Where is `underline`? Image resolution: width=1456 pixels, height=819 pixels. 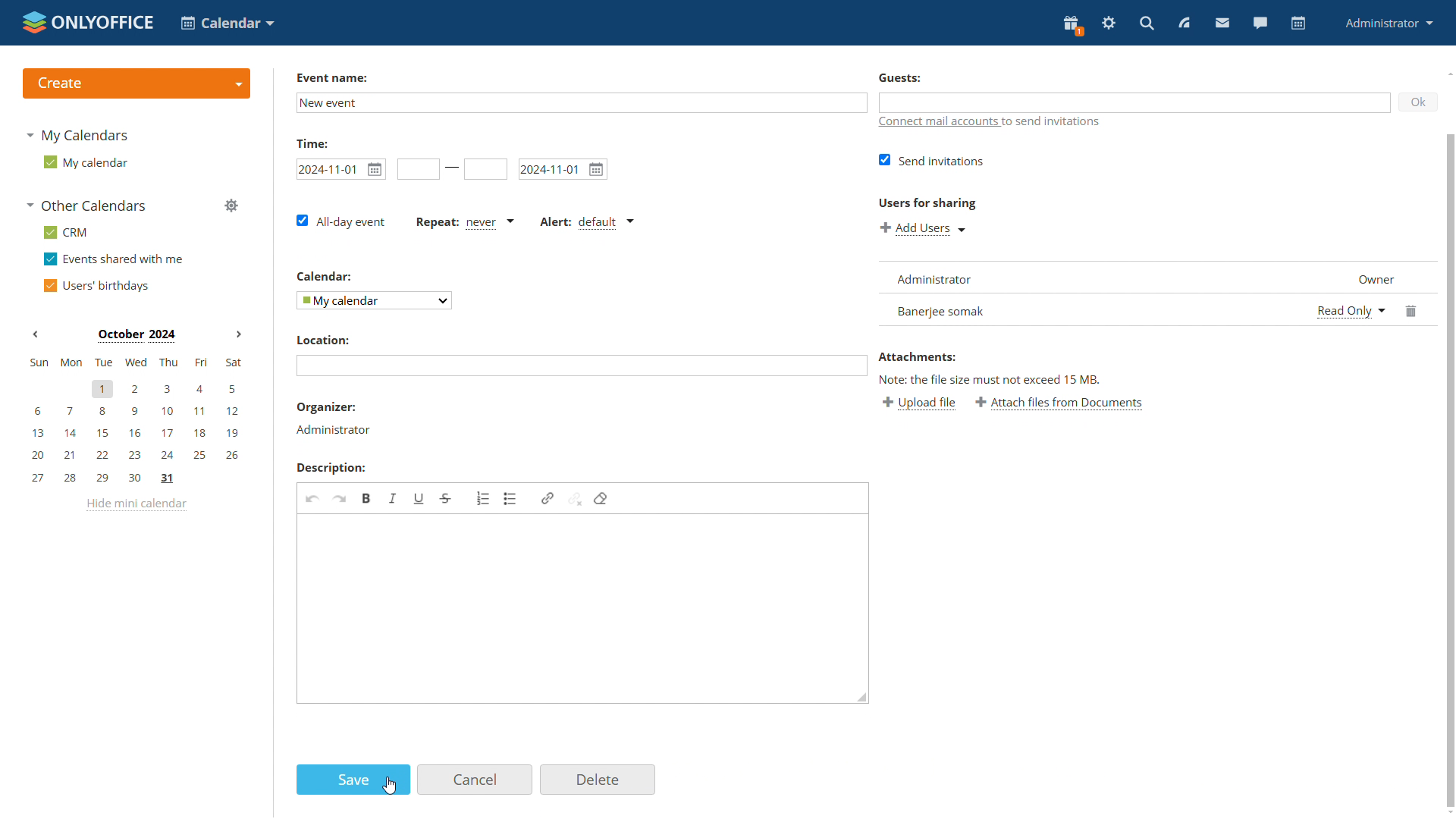
underline is located at coordinates (419, 498).